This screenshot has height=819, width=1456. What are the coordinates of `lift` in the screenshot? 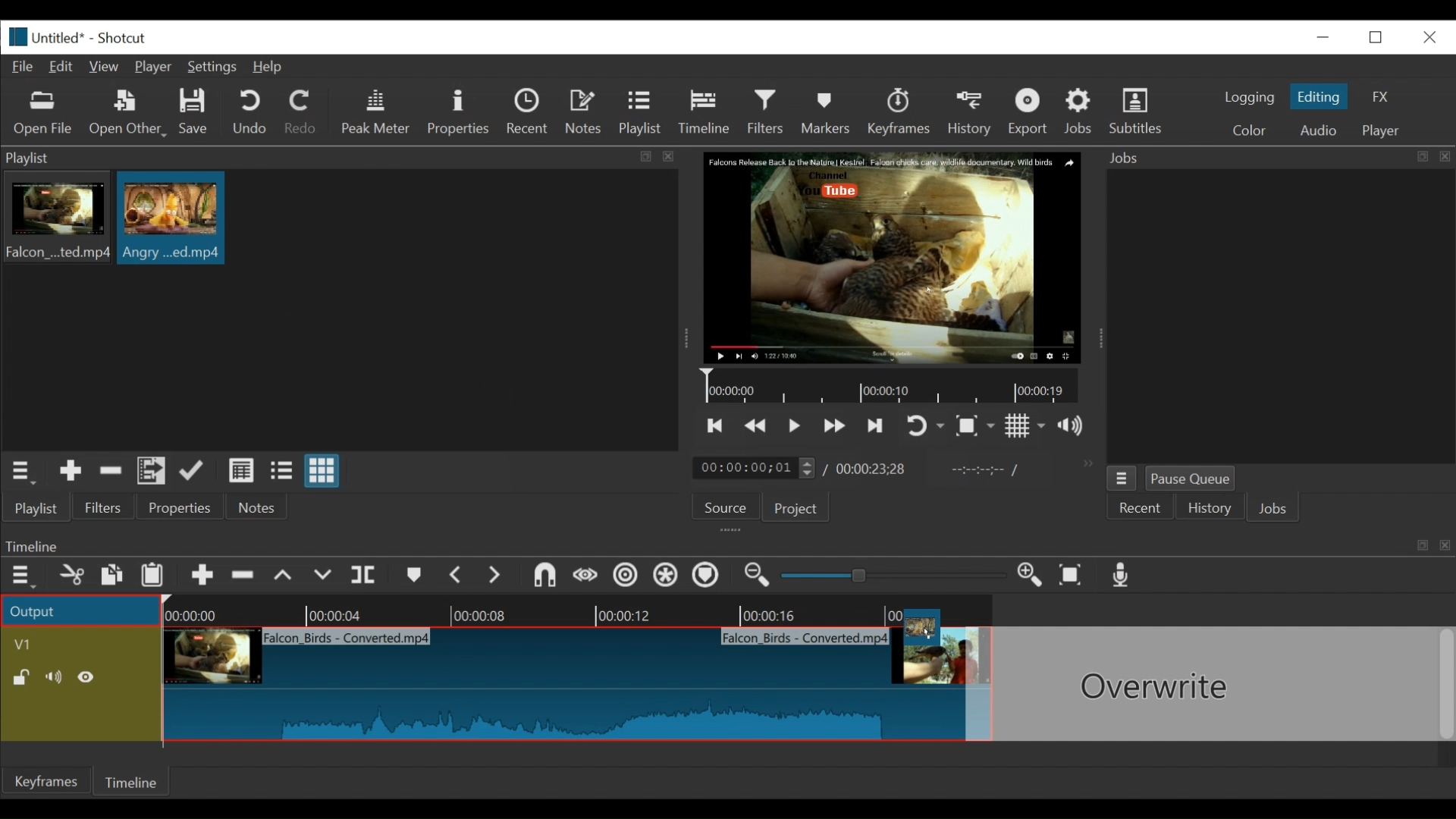 It's located at (285, 577).